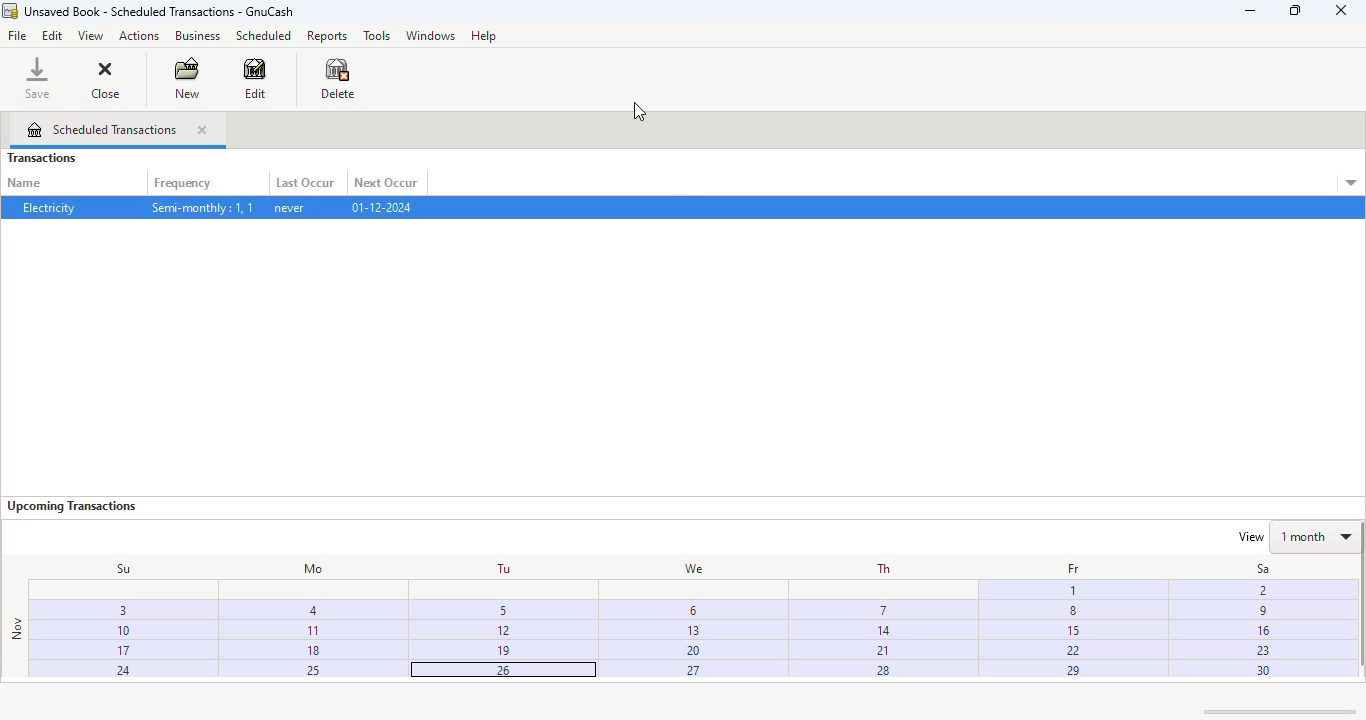 The height and width of the screenshot is (720, 1366). Describe the element at coordinates (1072, 669) in the screenshot. I see `29` at that location.